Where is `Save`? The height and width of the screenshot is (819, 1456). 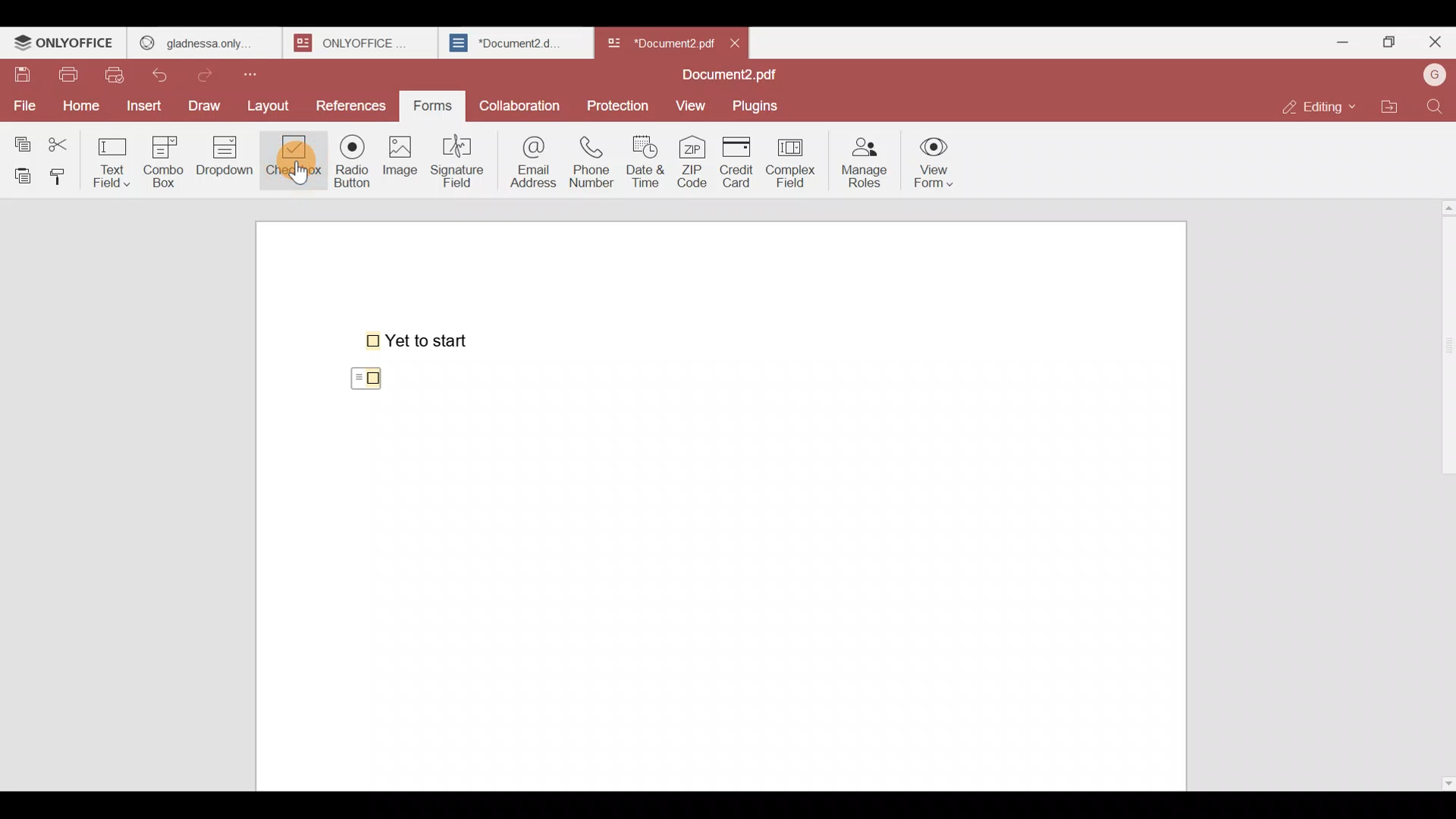
Save is located at coordinates (22, 75).